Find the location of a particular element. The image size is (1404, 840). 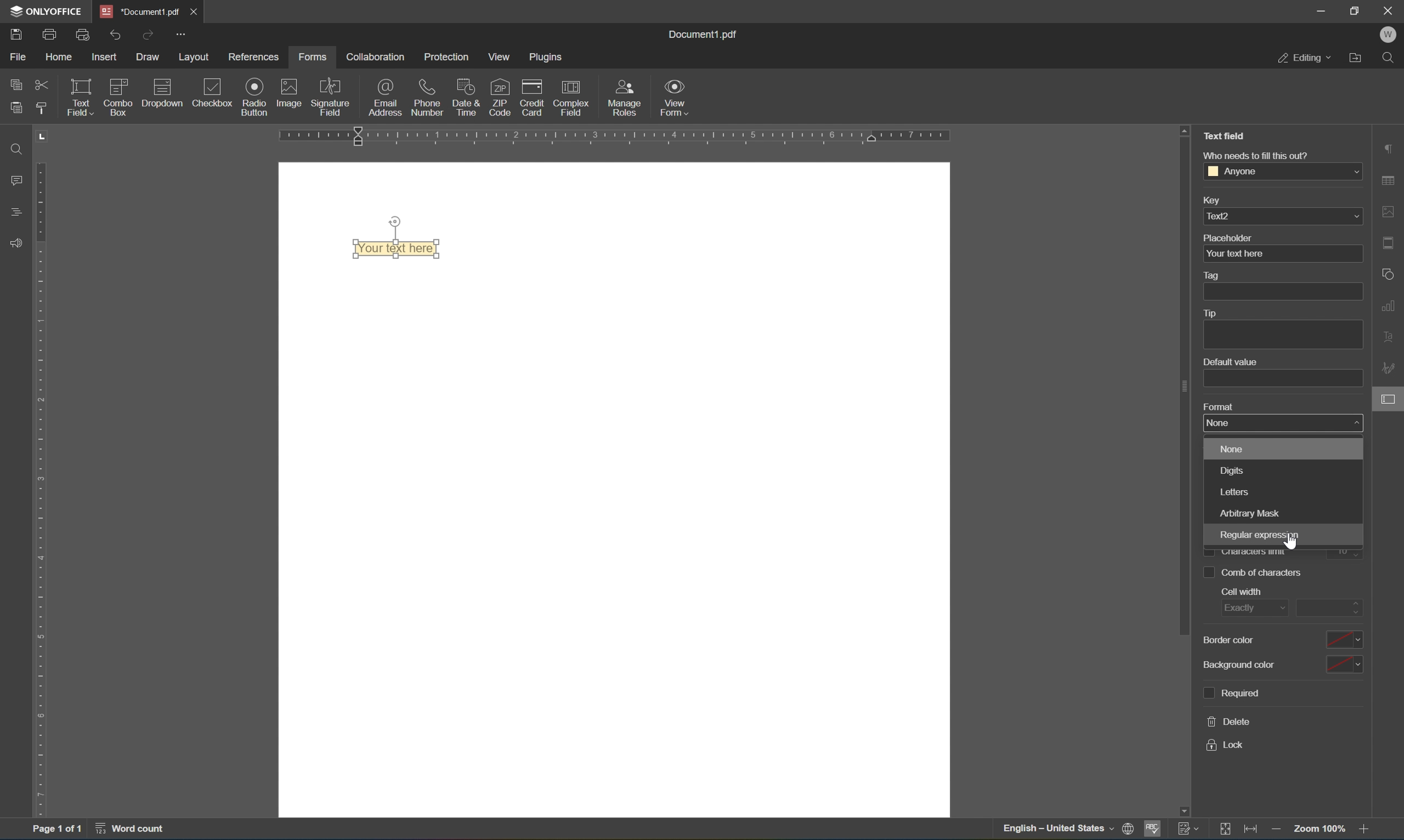

layout is located at coordinates (195, 57).